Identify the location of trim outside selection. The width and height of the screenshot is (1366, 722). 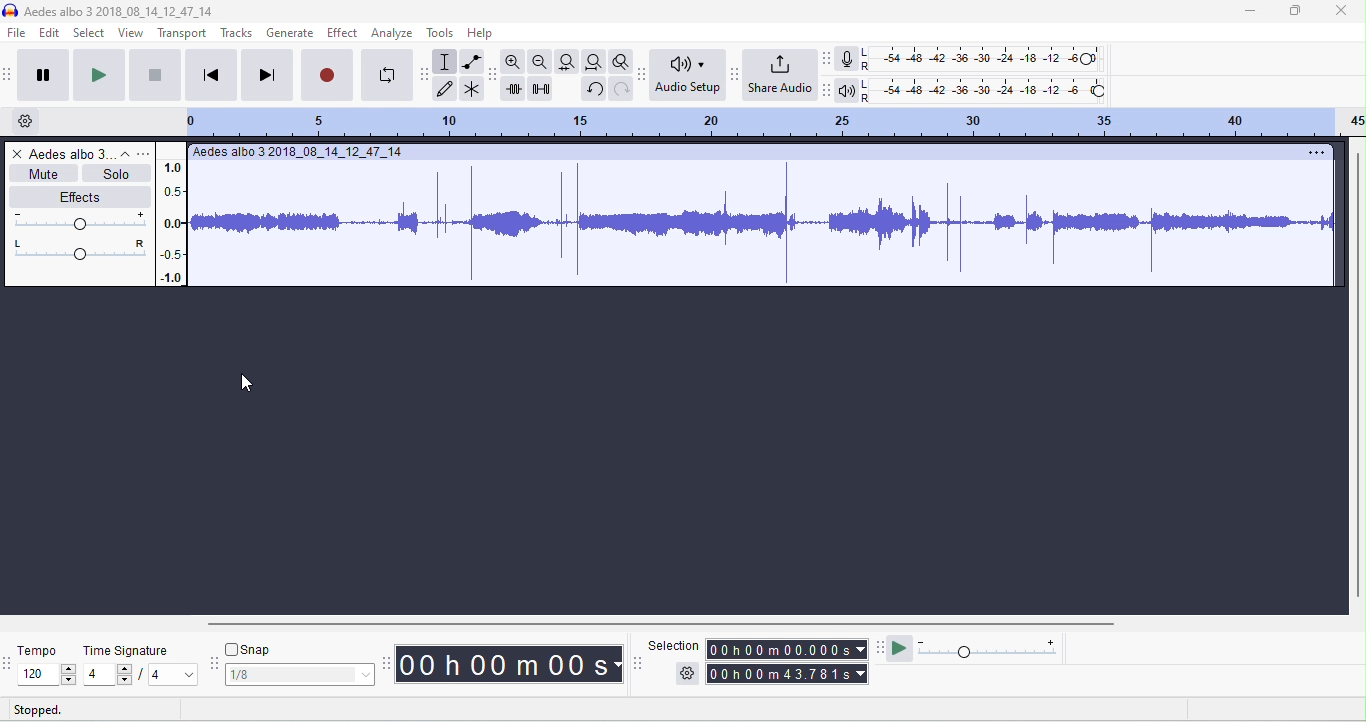
(514, 88).